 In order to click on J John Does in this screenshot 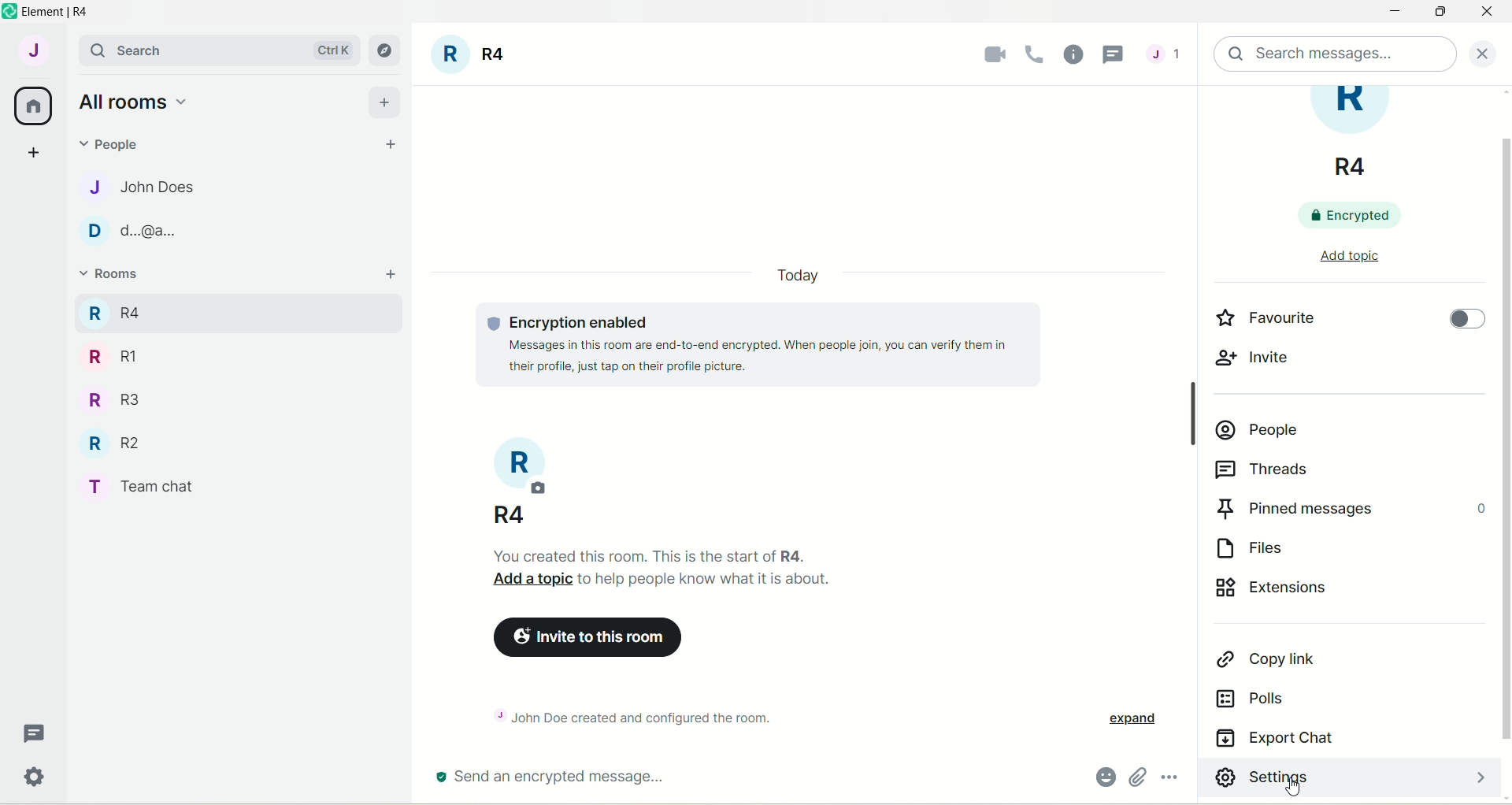, I will do `click(127, 187)`.